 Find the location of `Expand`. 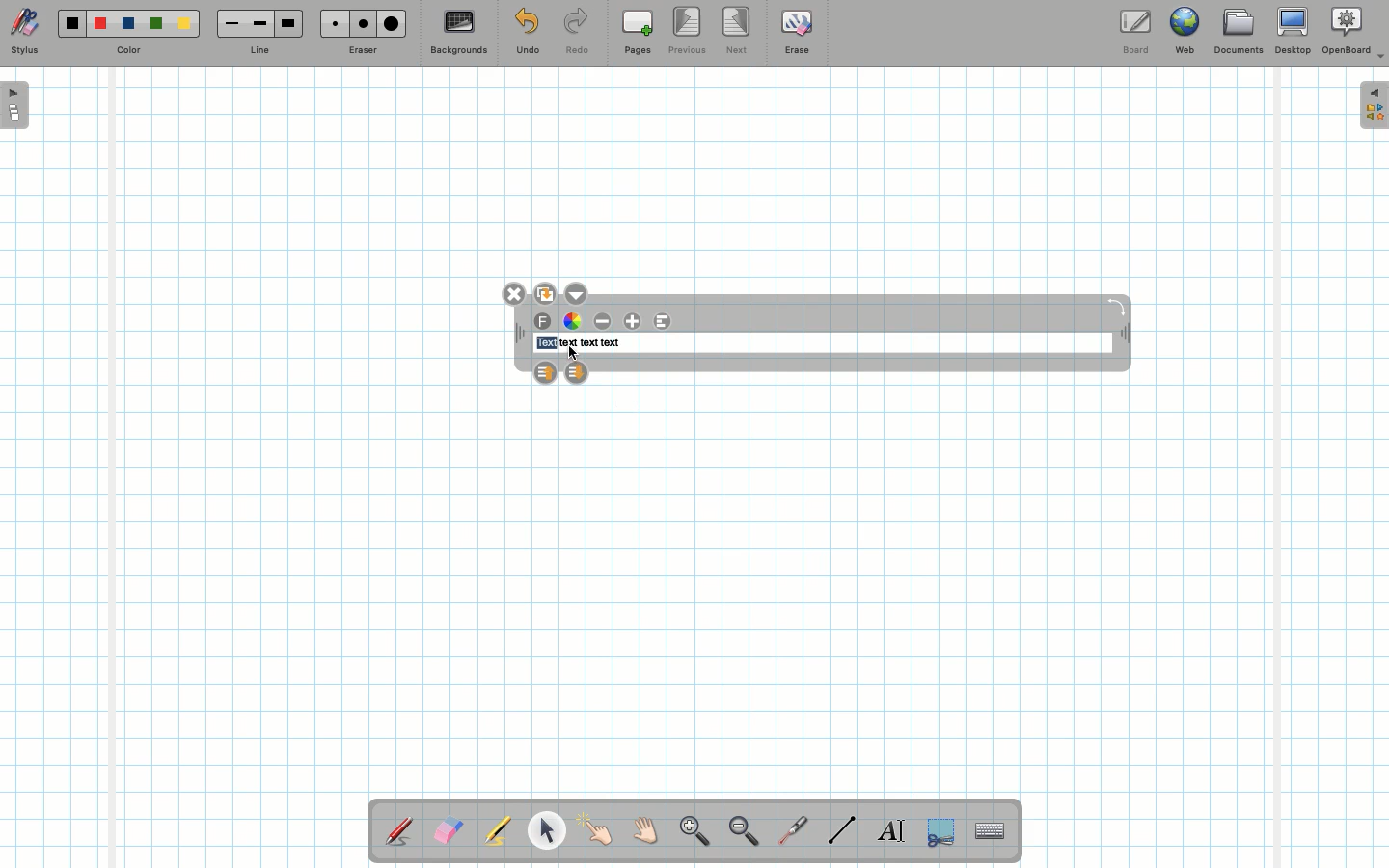

Expand is located at coordinates (1374, 105).